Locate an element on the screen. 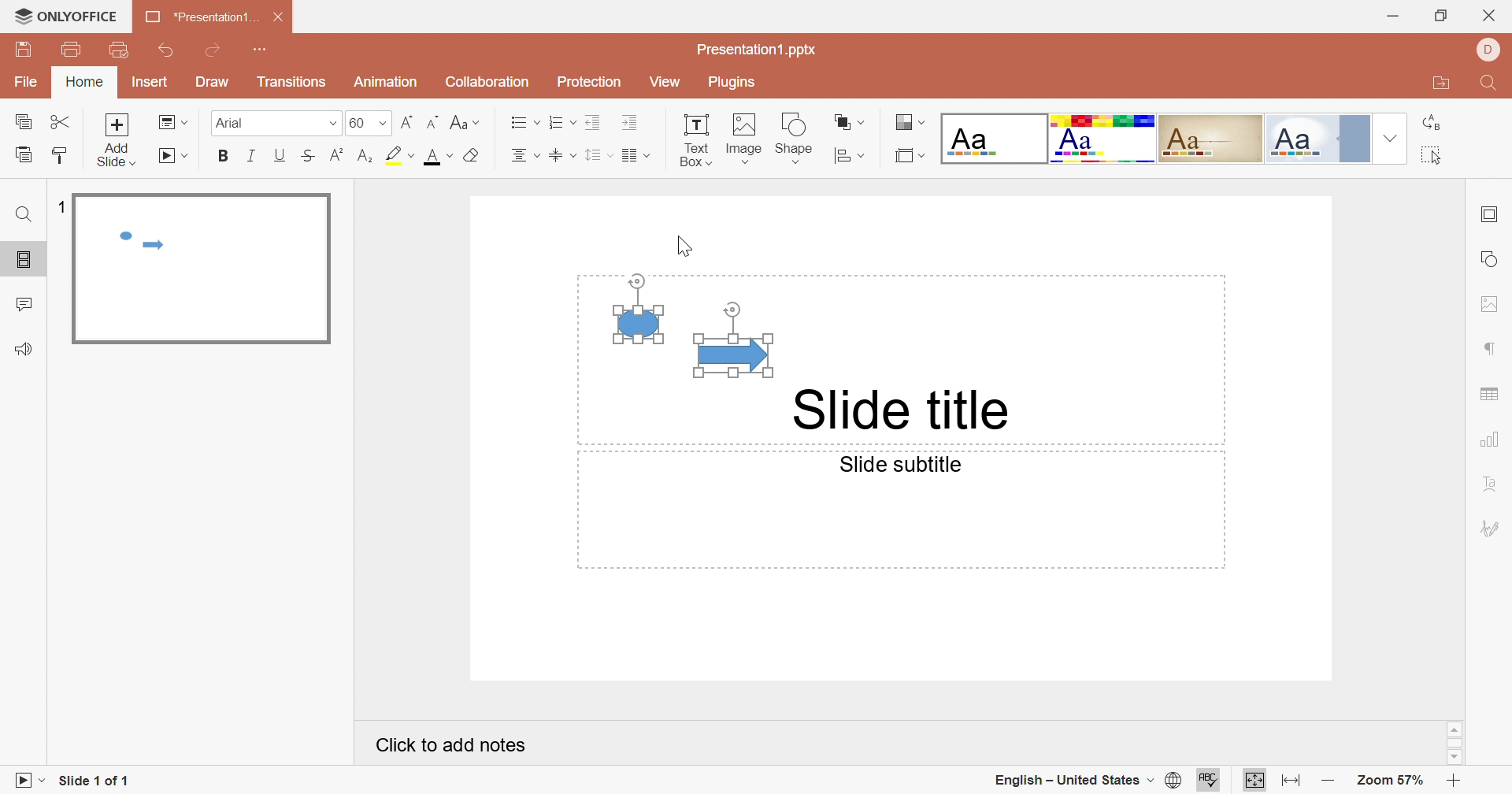 The height and width of the screenshot is (794, 1512). Blank is located at coordinates (995, 139).